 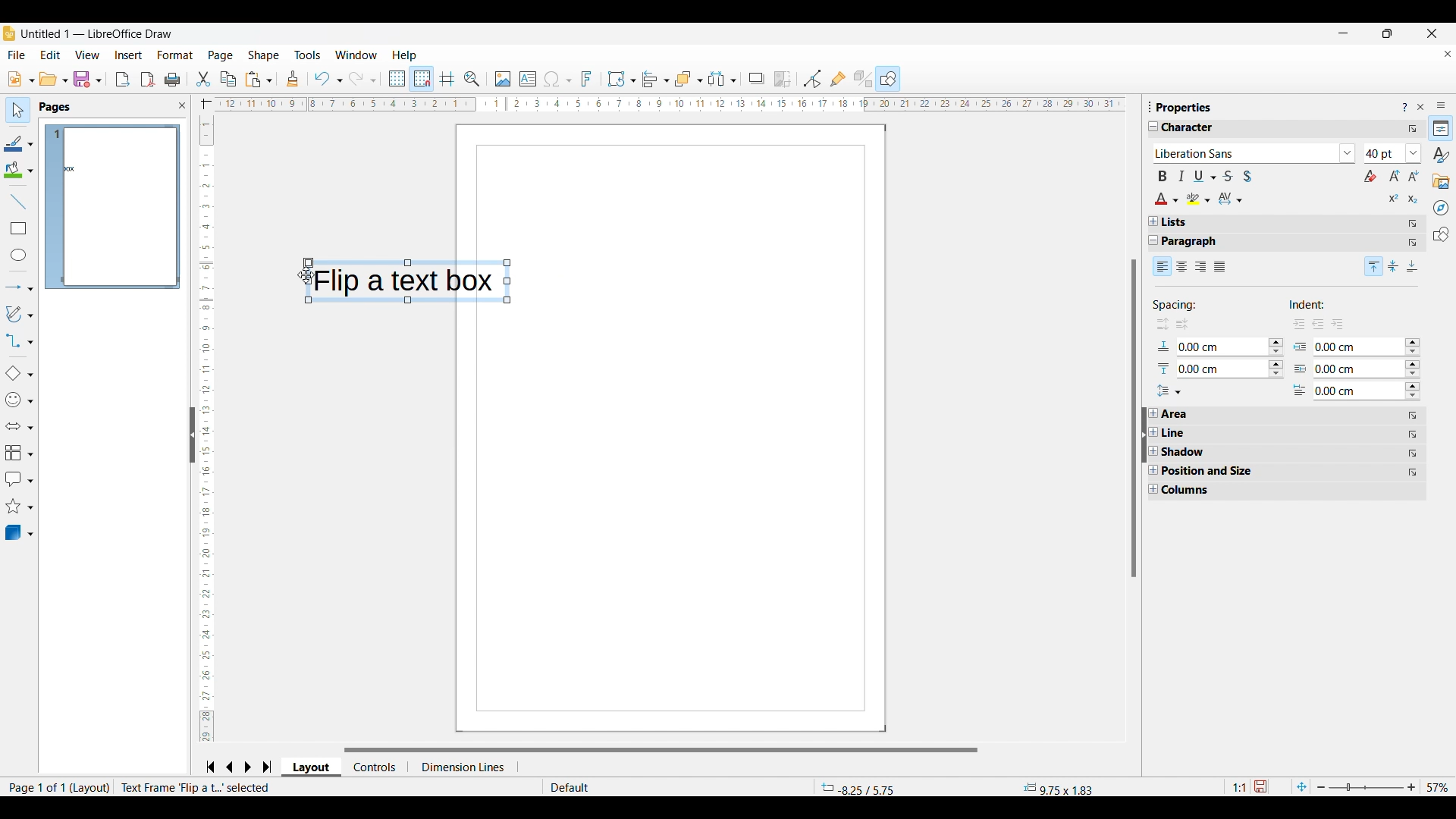 I want to click on Collapse, so click(x=1154, y=240).